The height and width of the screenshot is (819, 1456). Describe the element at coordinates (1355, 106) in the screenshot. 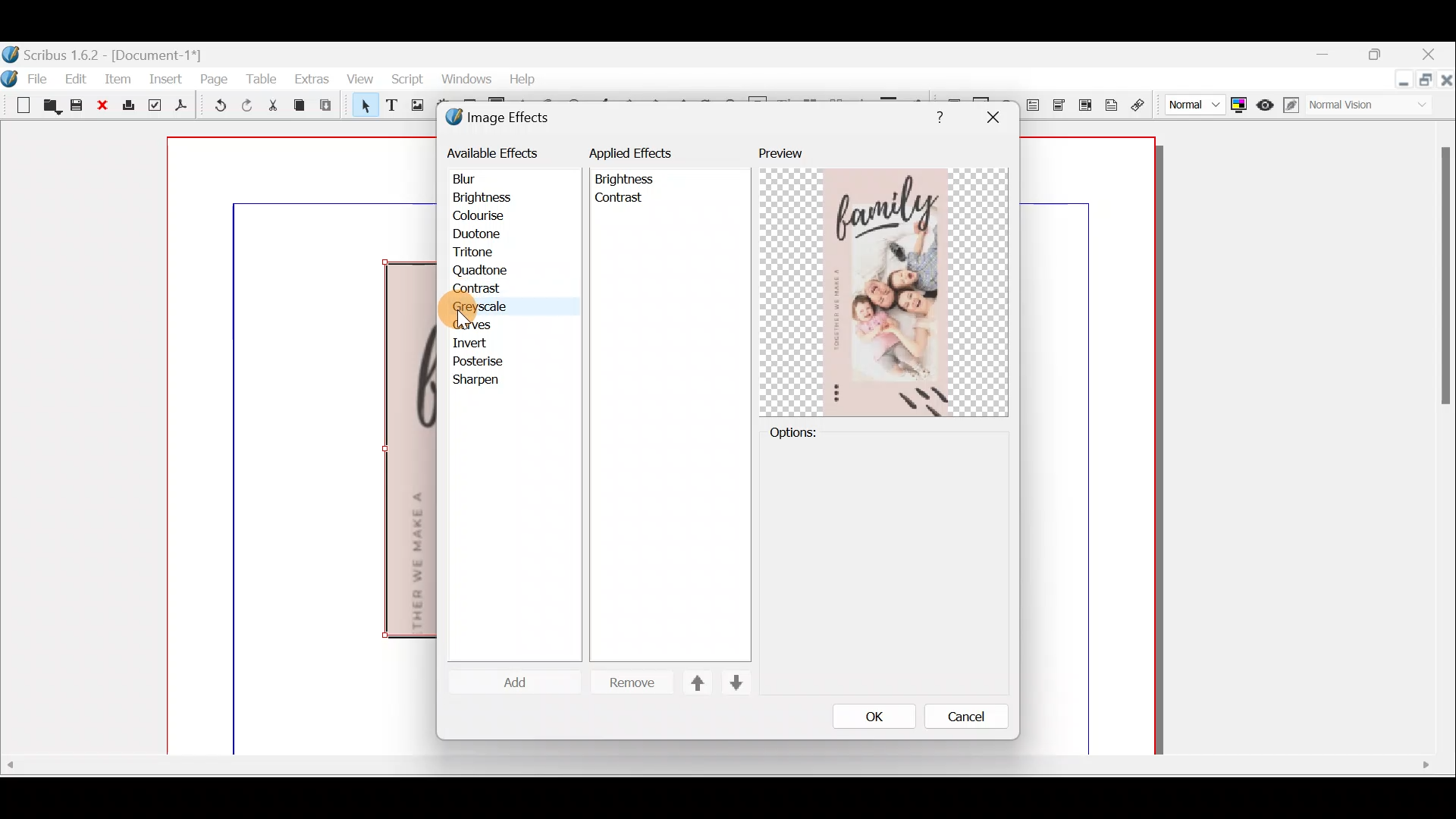

I see `Visual appearance` at that location.